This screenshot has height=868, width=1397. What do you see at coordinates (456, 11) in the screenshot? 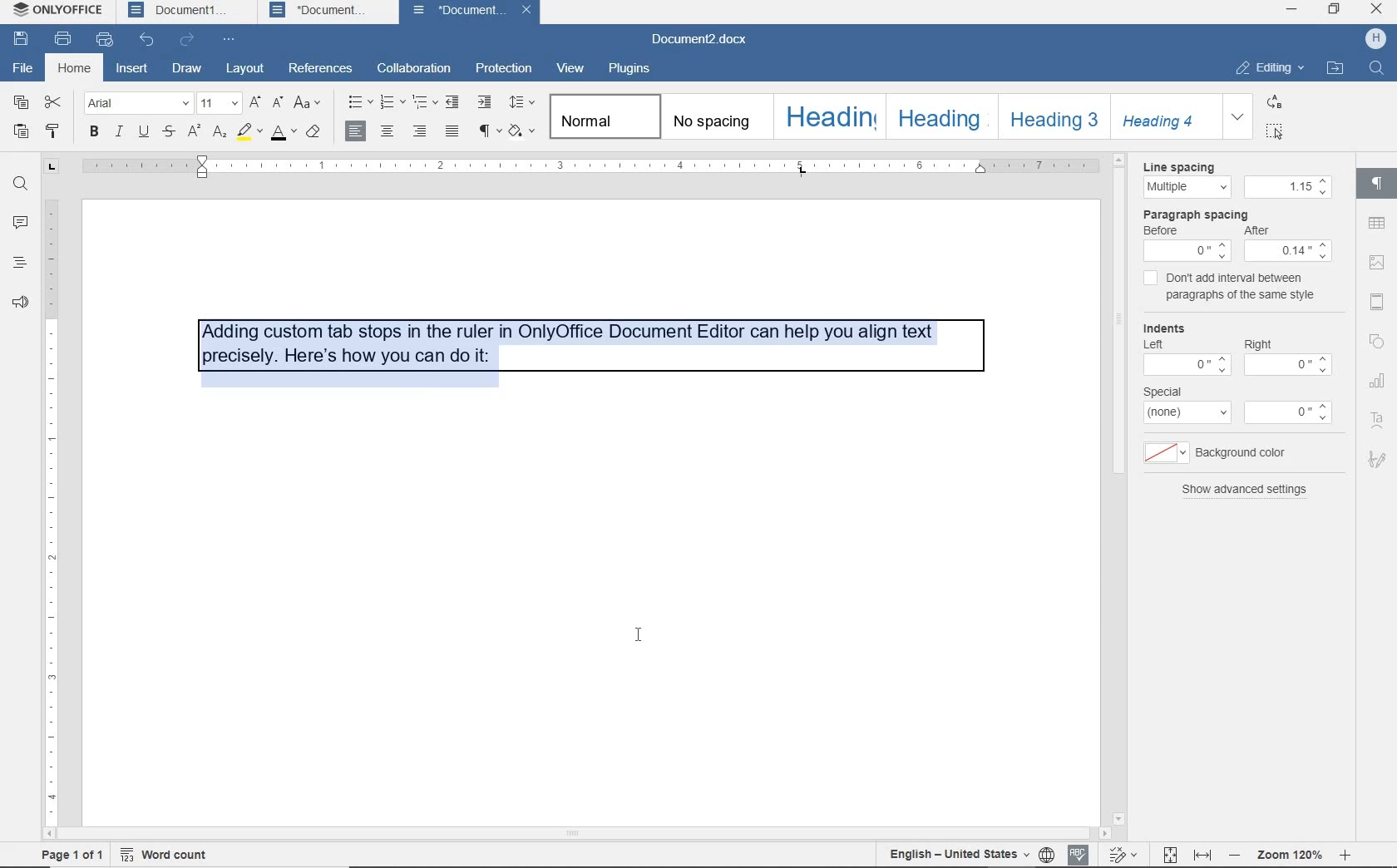
I see `Document` at bounding box center [456, 11].